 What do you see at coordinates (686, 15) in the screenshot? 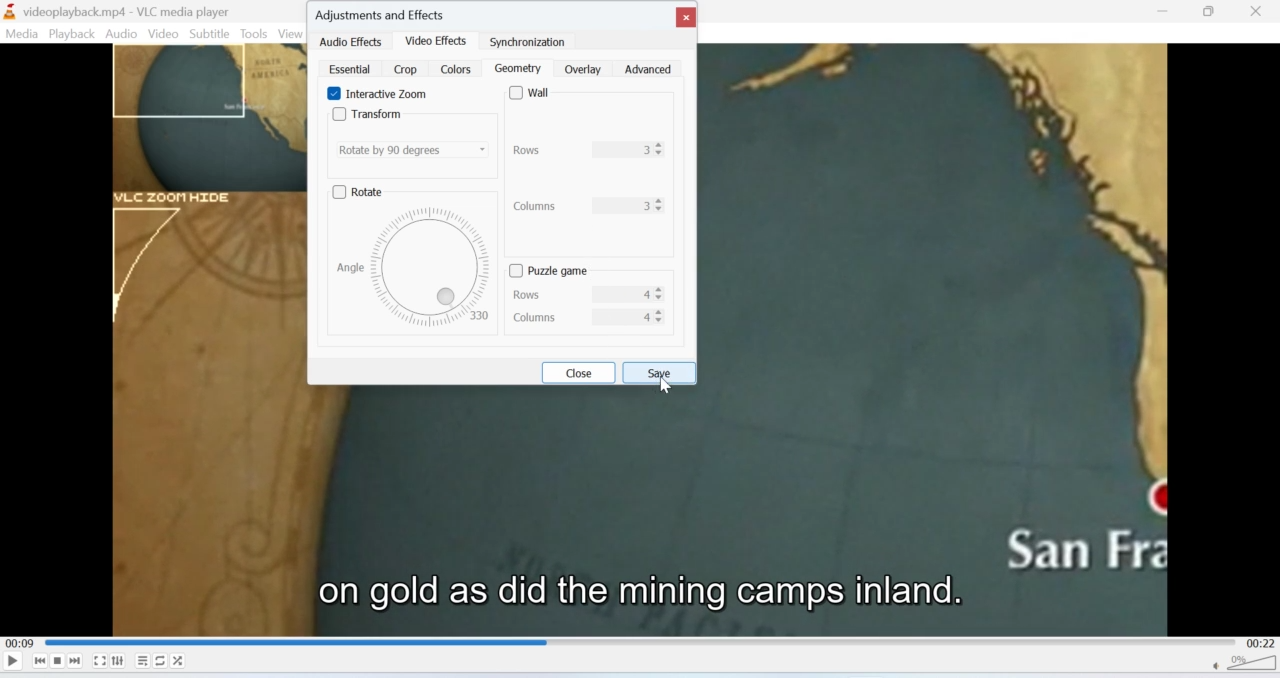
I see `close` at bounding box center [686, 15].